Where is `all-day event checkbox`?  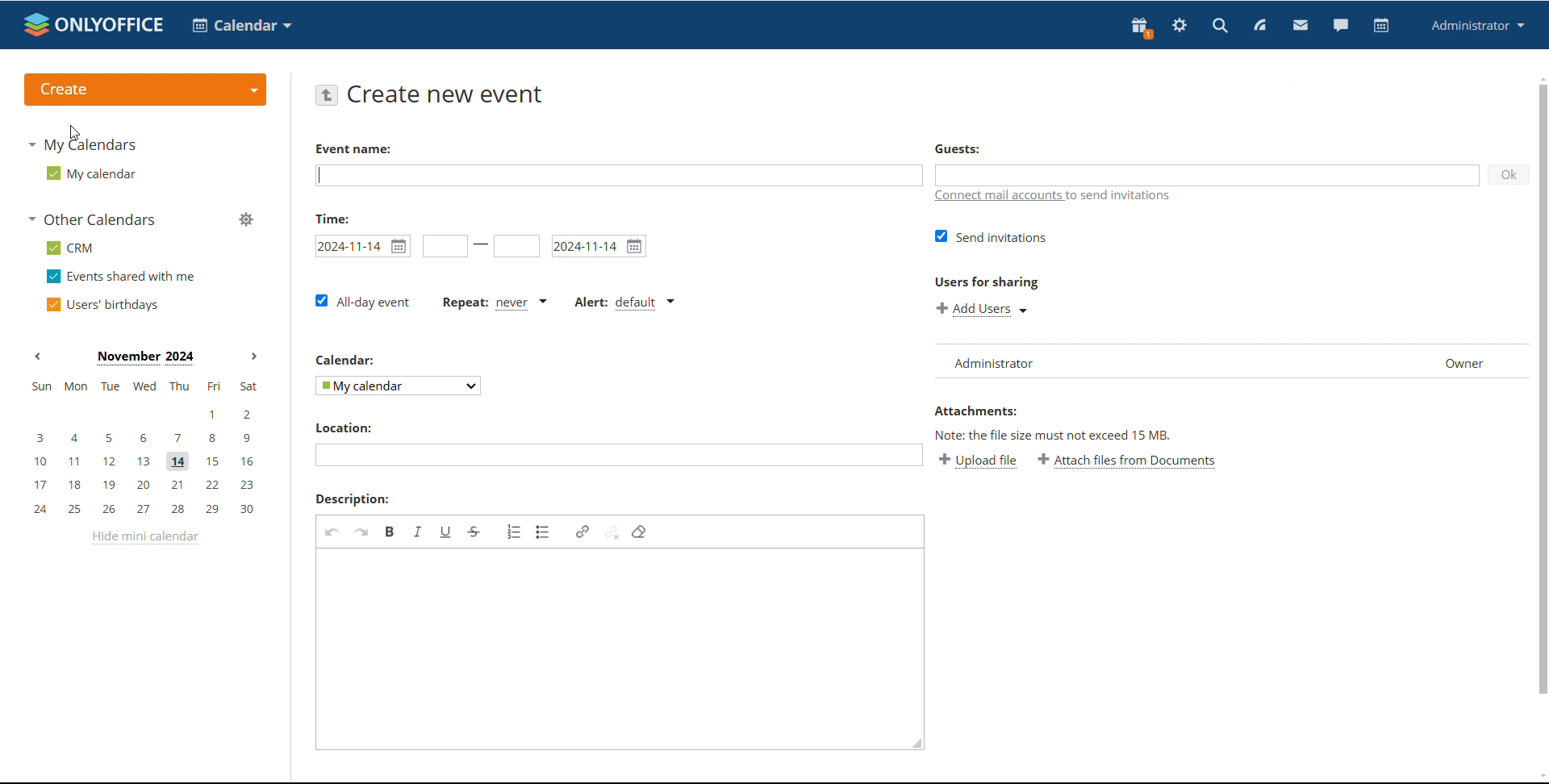
all-day event checkbox is located at coordinates (362, 302).